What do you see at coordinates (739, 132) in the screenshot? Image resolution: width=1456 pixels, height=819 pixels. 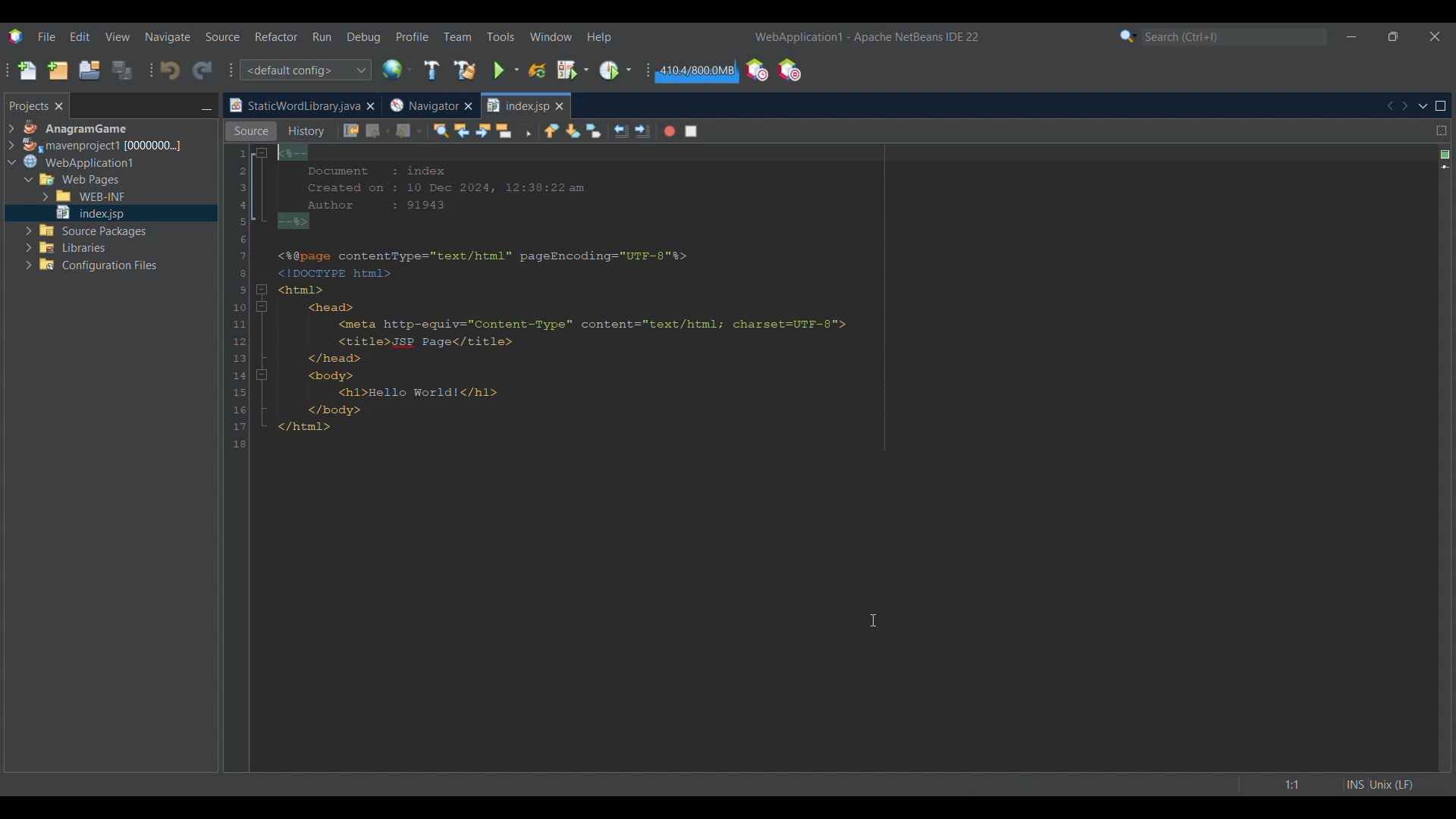 I see `Comment` at bounding box center [739, 132].